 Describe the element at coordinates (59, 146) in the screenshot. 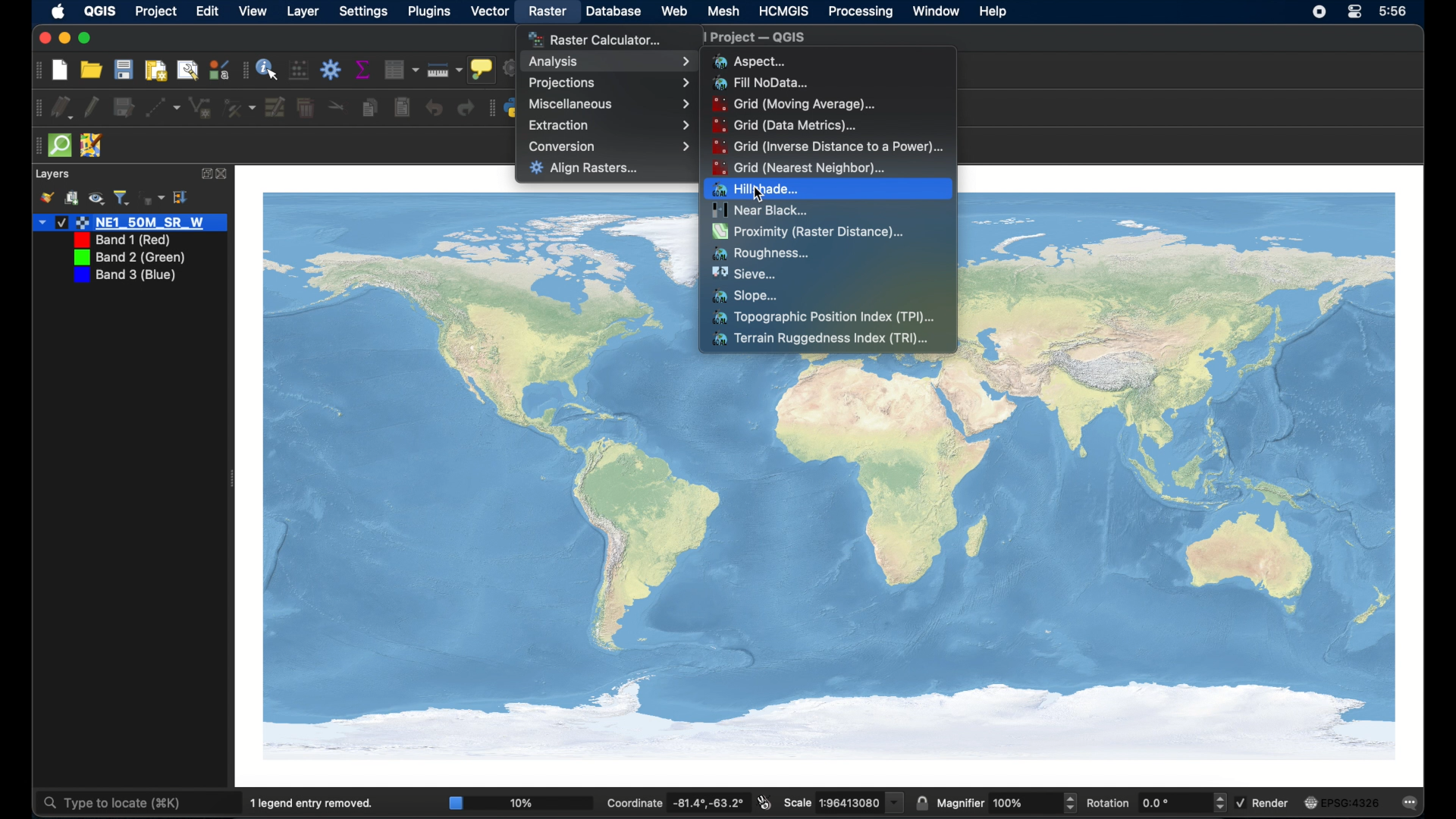

I see `quick osm` at that location.